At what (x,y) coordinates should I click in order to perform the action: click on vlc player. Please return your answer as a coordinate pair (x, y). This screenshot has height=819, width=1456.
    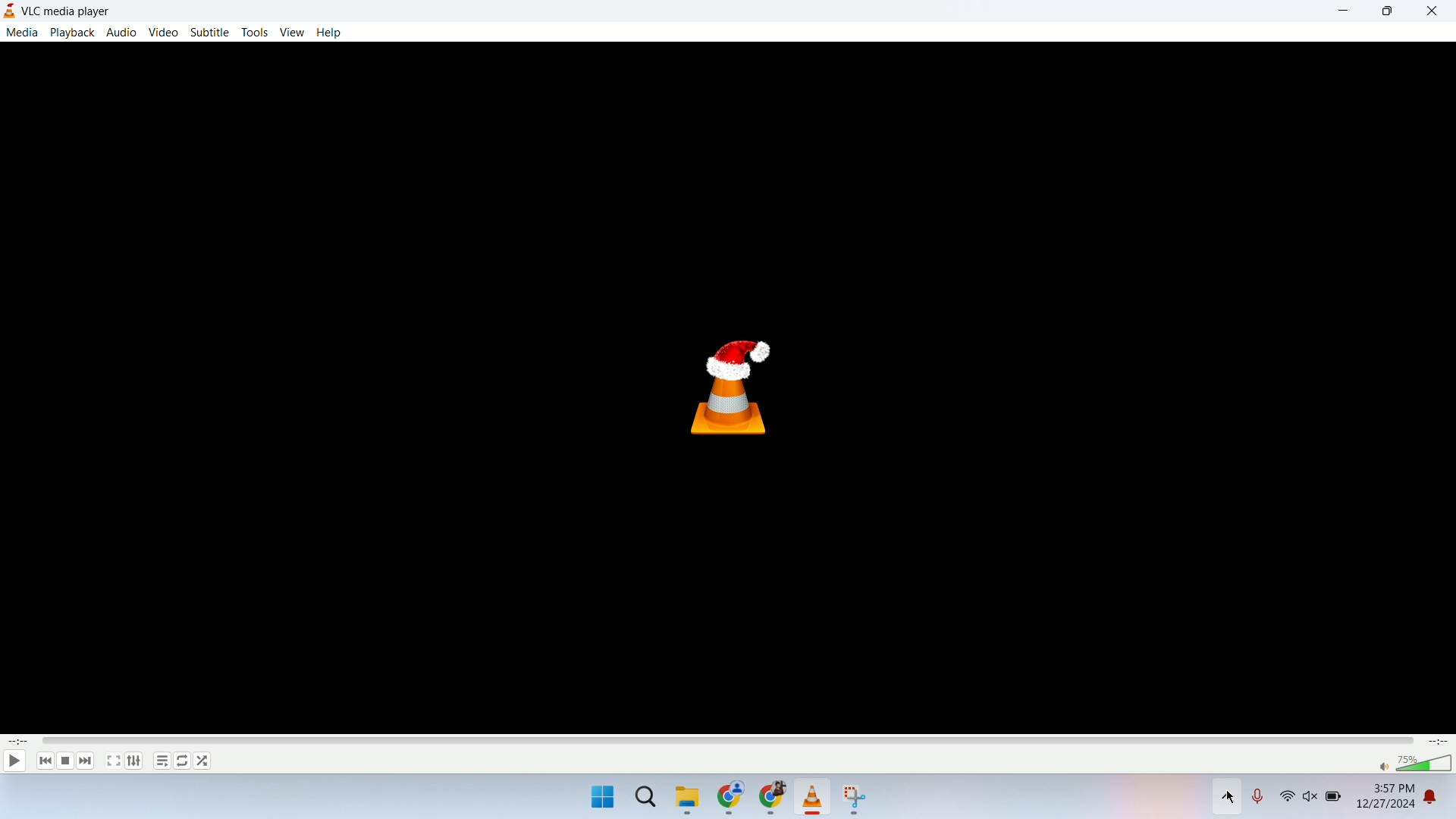
    Looking at the image, I should click on (814, 799).